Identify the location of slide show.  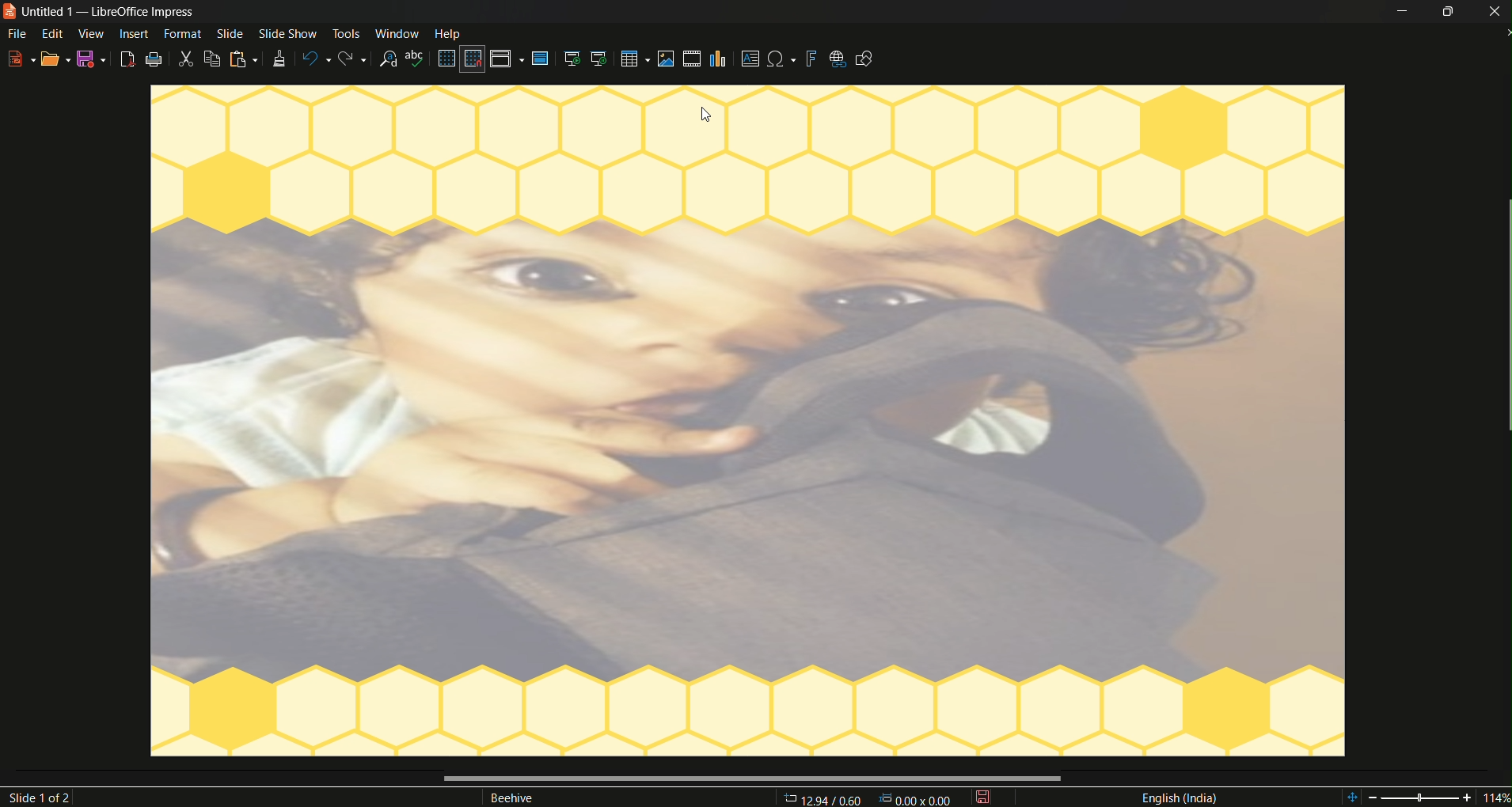
(287, 34).